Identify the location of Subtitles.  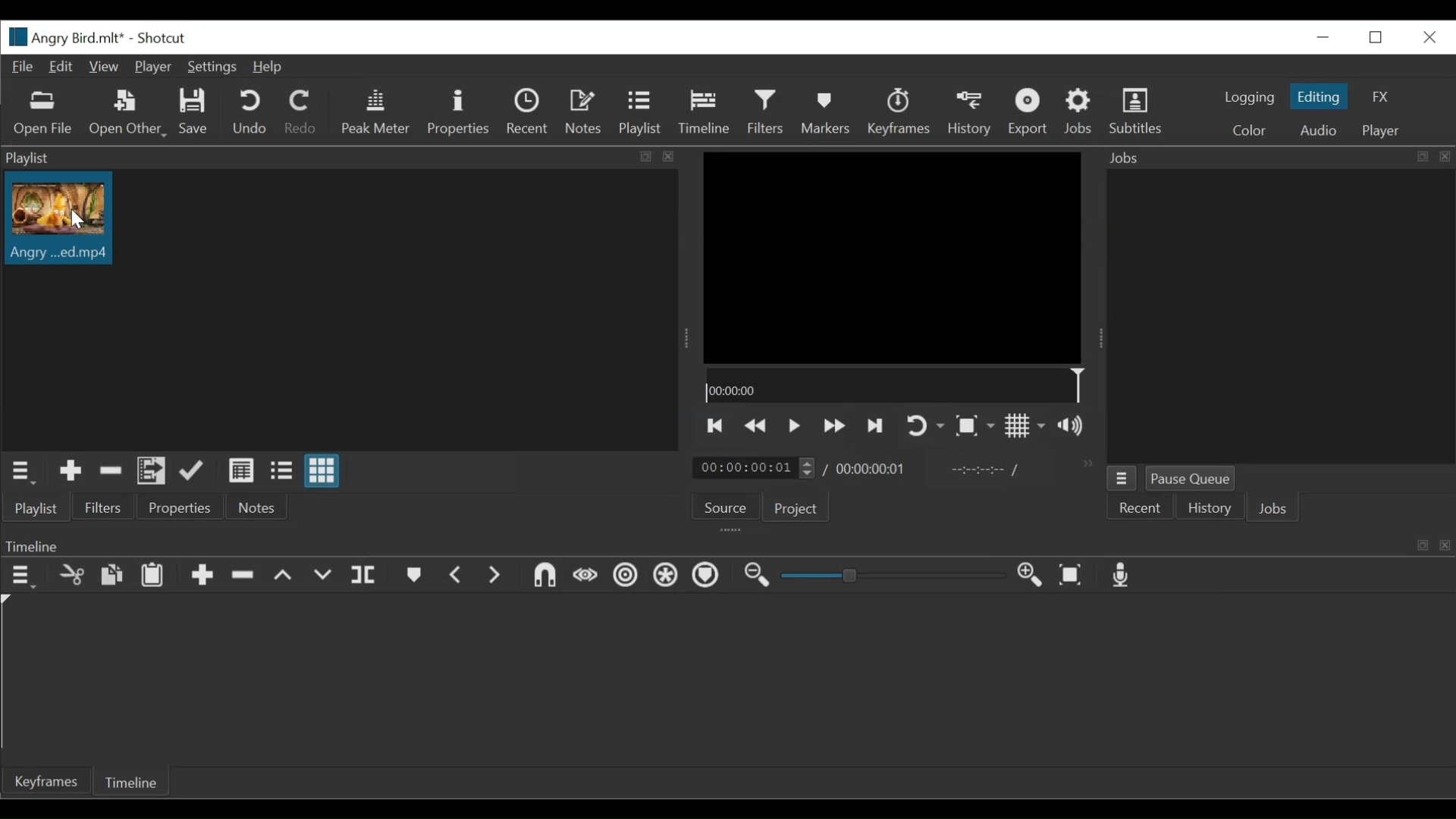
(1136, 111).